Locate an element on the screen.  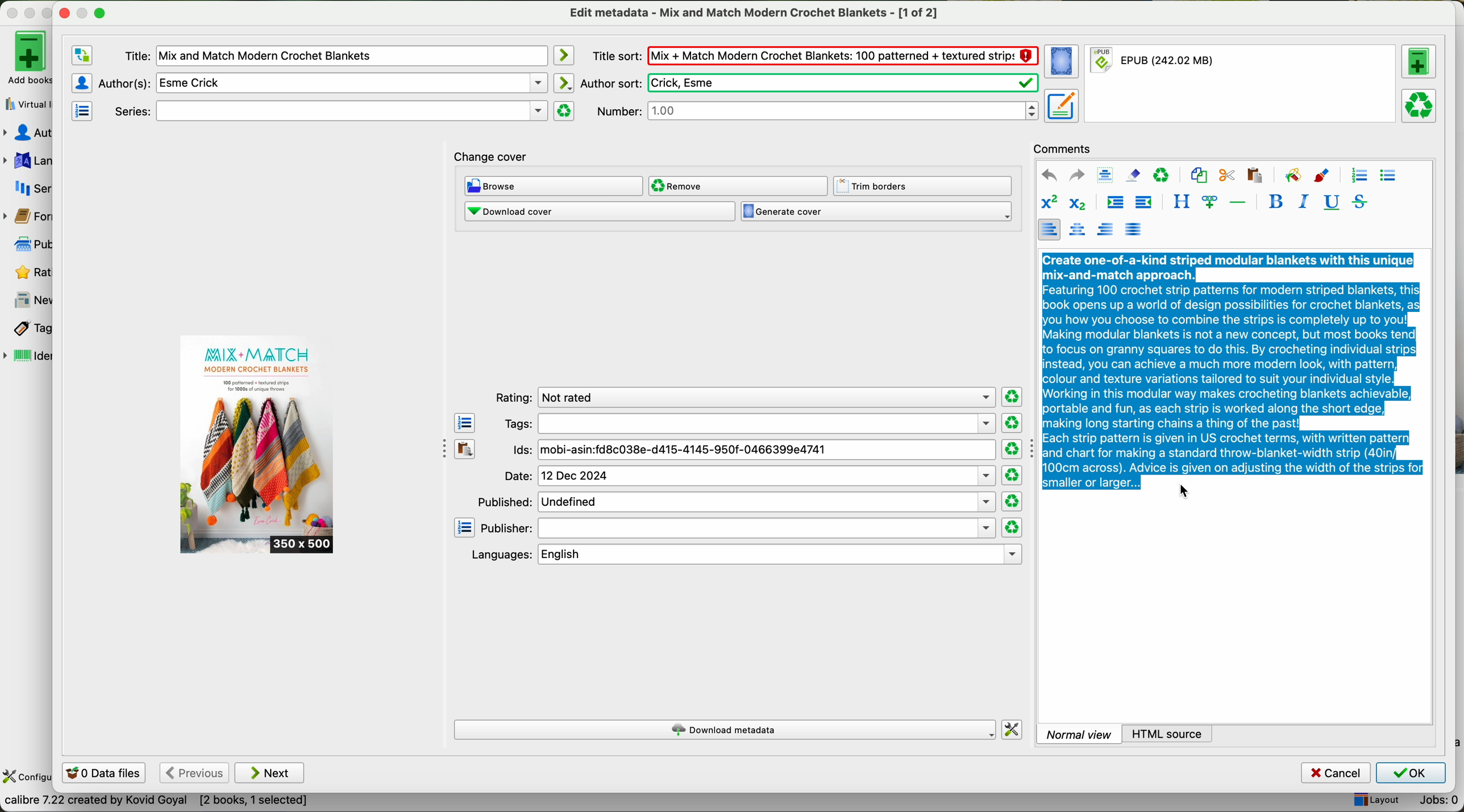
add books is located at coordinates (26, 57).